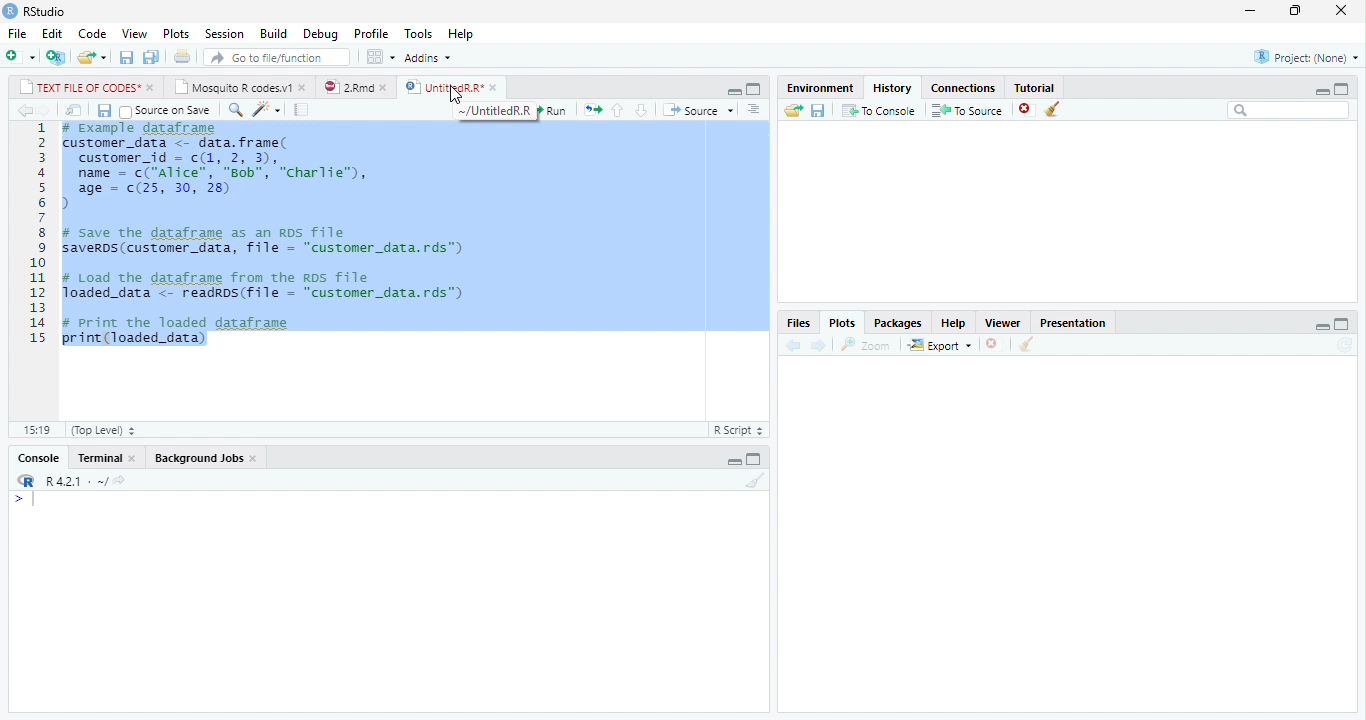 The width and height of the screenshot is (1366, 720). What do you see at coordinates (995, 344) in the screenshot?
I see `close` at bounding box center [995, 344].